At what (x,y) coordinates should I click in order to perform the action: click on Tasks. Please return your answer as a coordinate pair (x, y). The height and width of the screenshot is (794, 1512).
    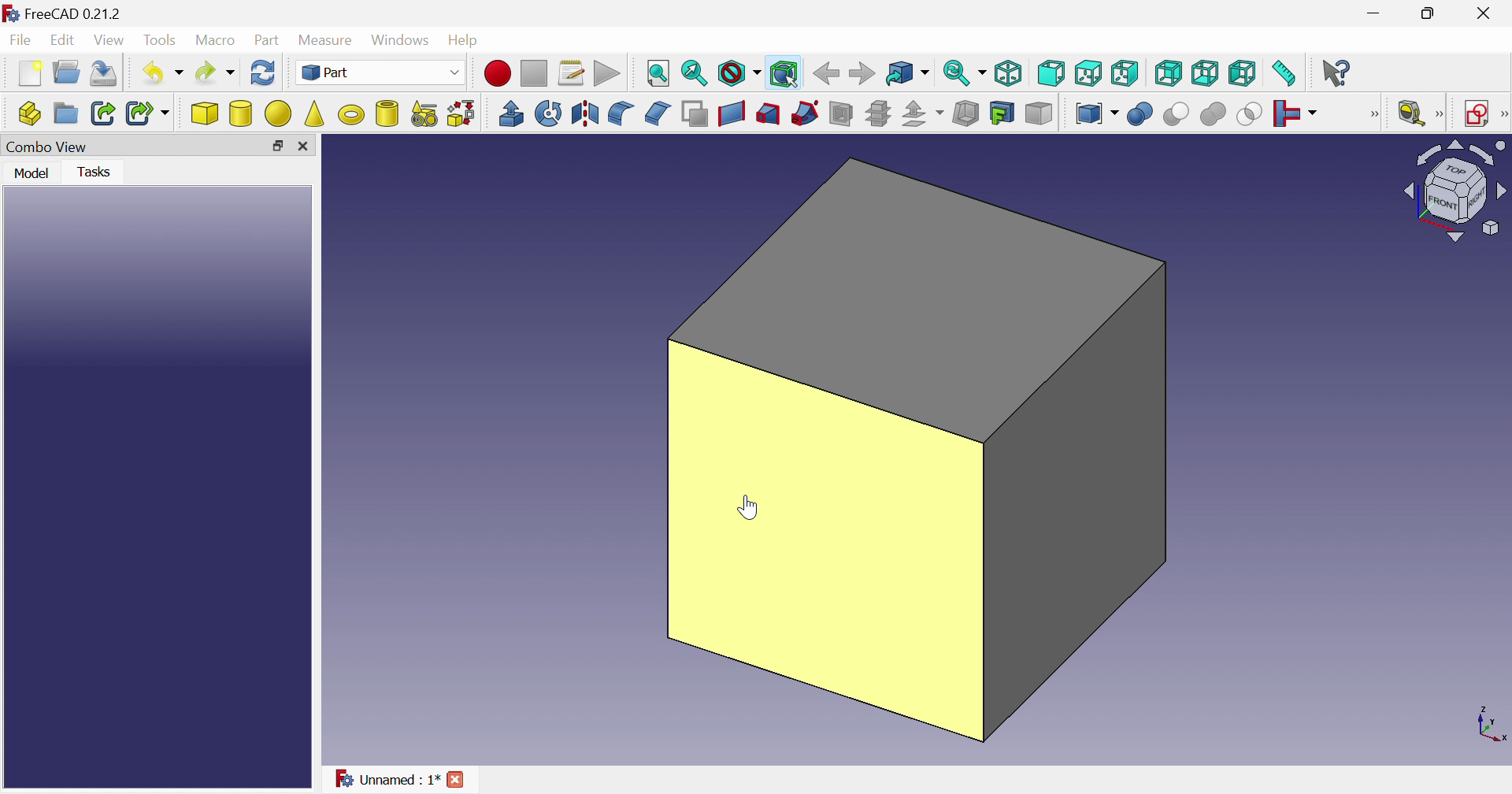
    Looking at the image, I should click on (99, 171).